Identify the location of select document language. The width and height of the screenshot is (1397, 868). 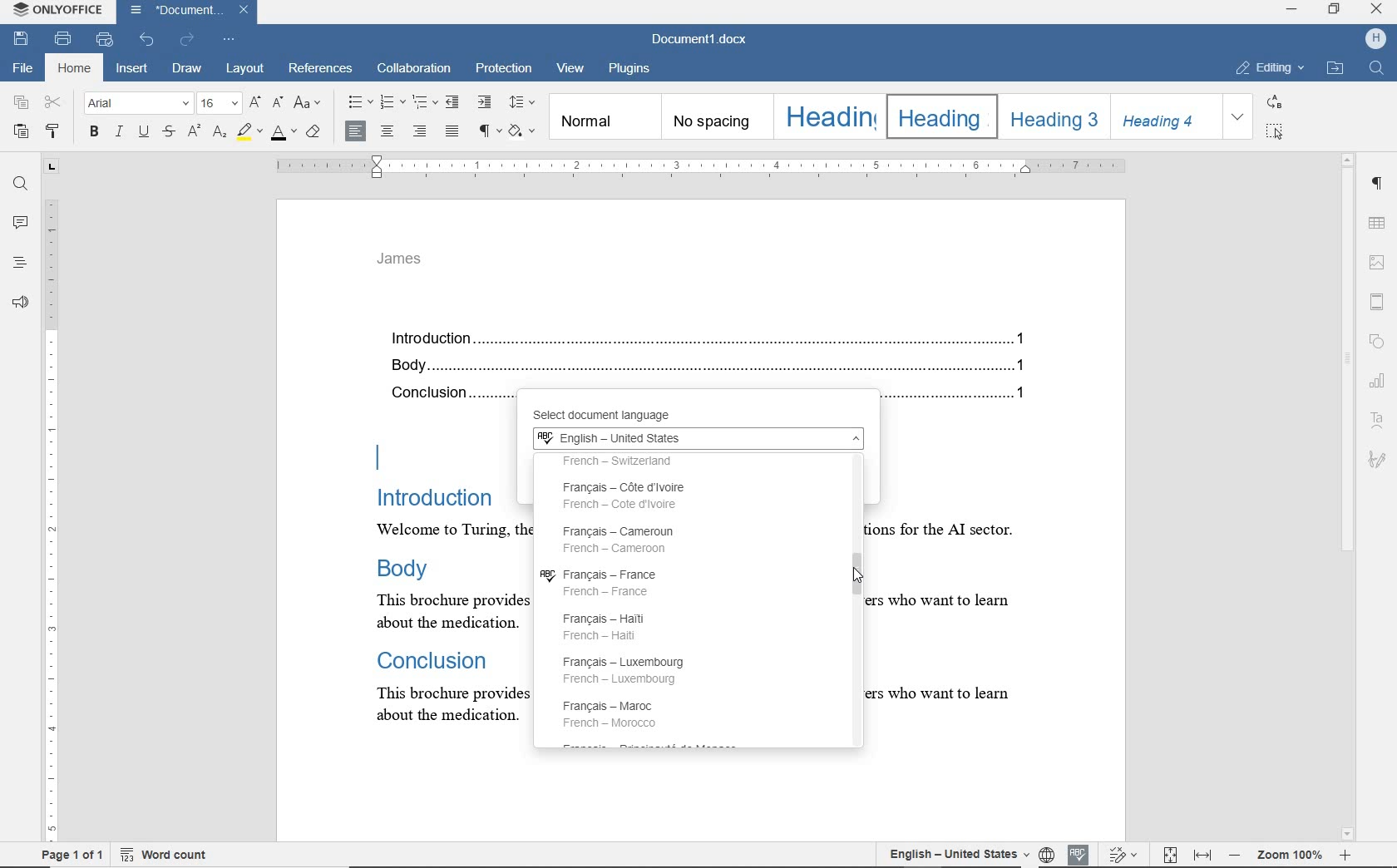
(625, 416).